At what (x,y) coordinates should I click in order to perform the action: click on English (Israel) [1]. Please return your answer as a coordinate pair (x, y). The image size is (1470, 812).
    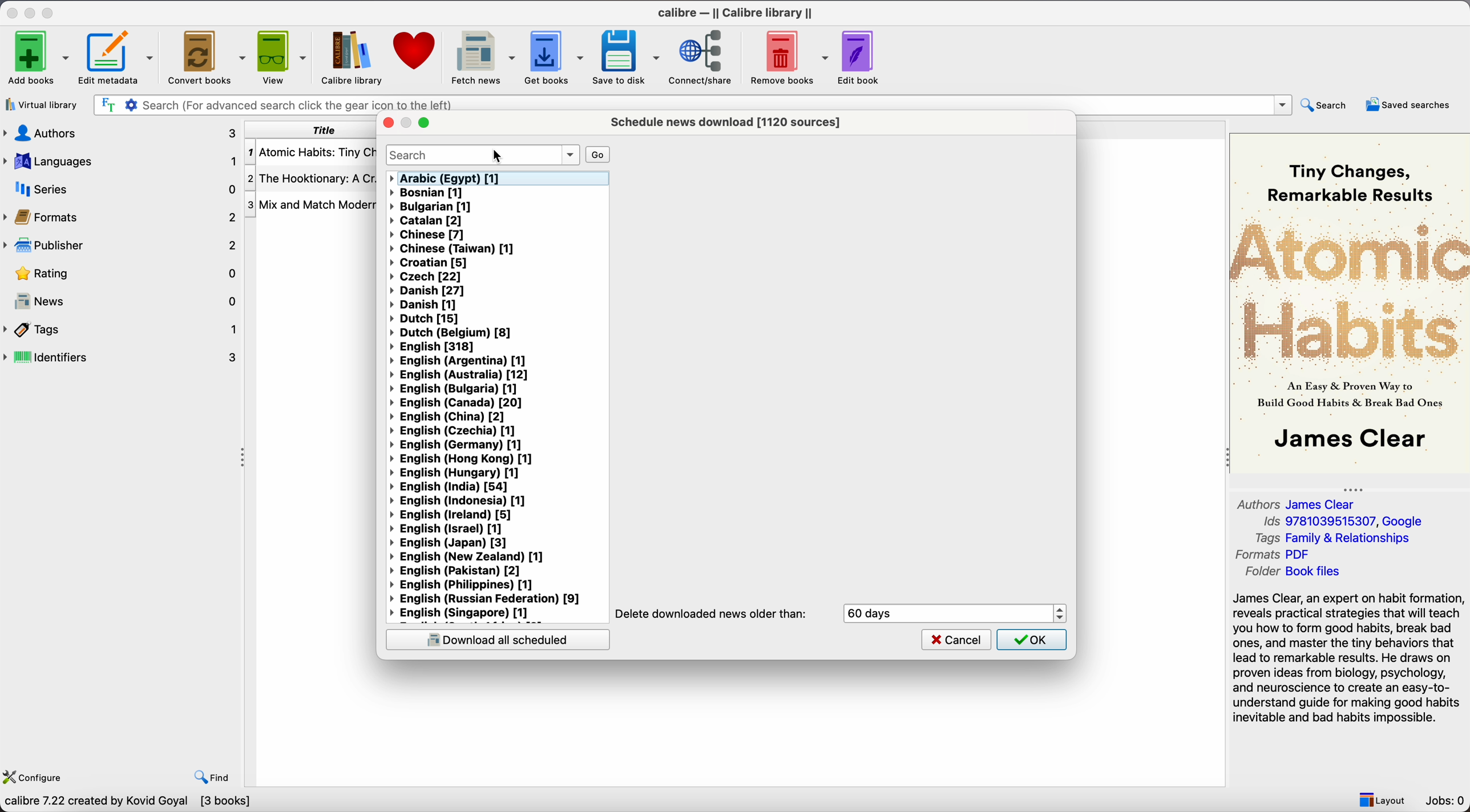
    Looking at the image, I should click on (446, 529).